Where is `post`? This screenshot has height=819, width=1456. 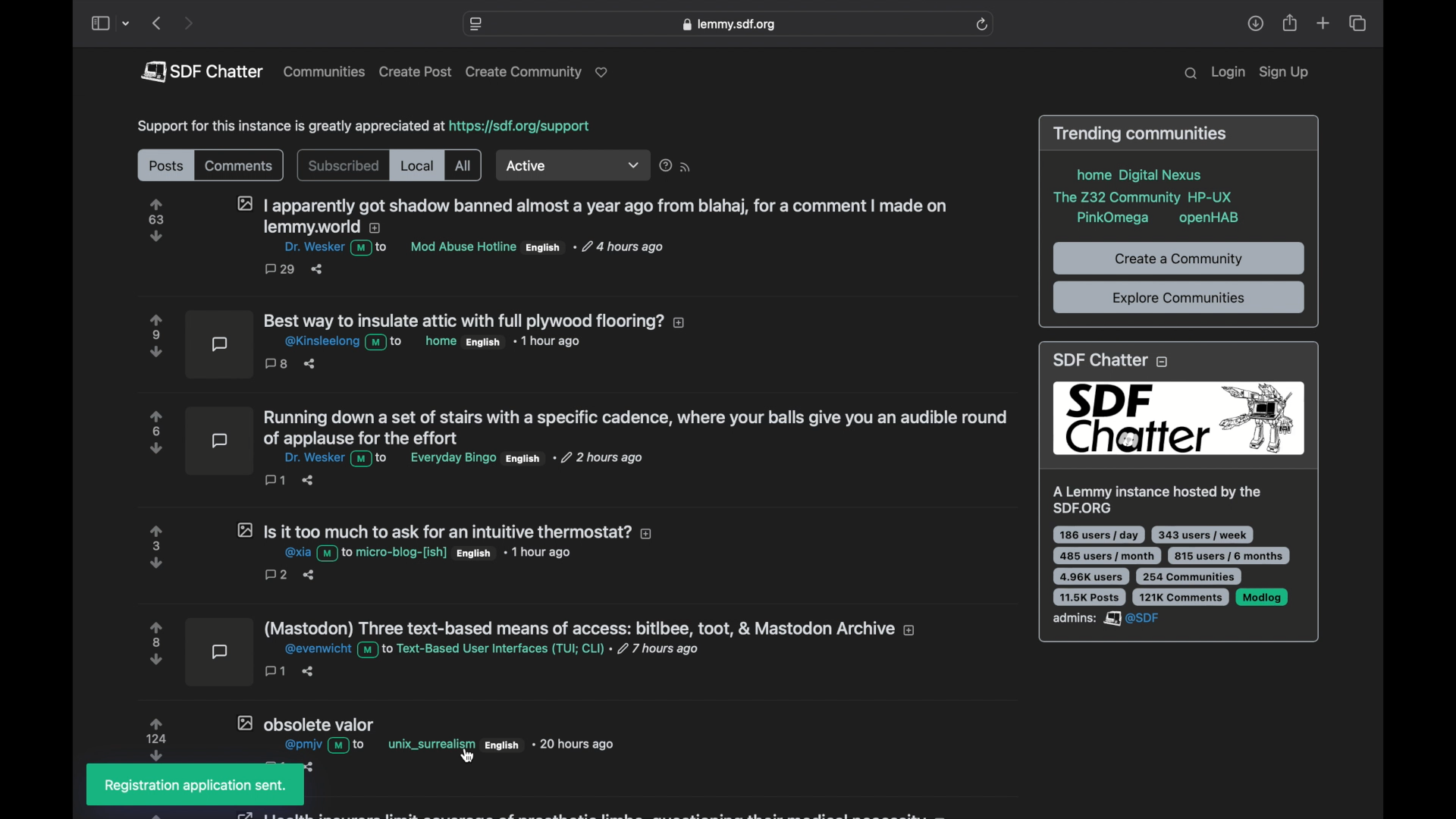 post is located at coordinates (386, 739).